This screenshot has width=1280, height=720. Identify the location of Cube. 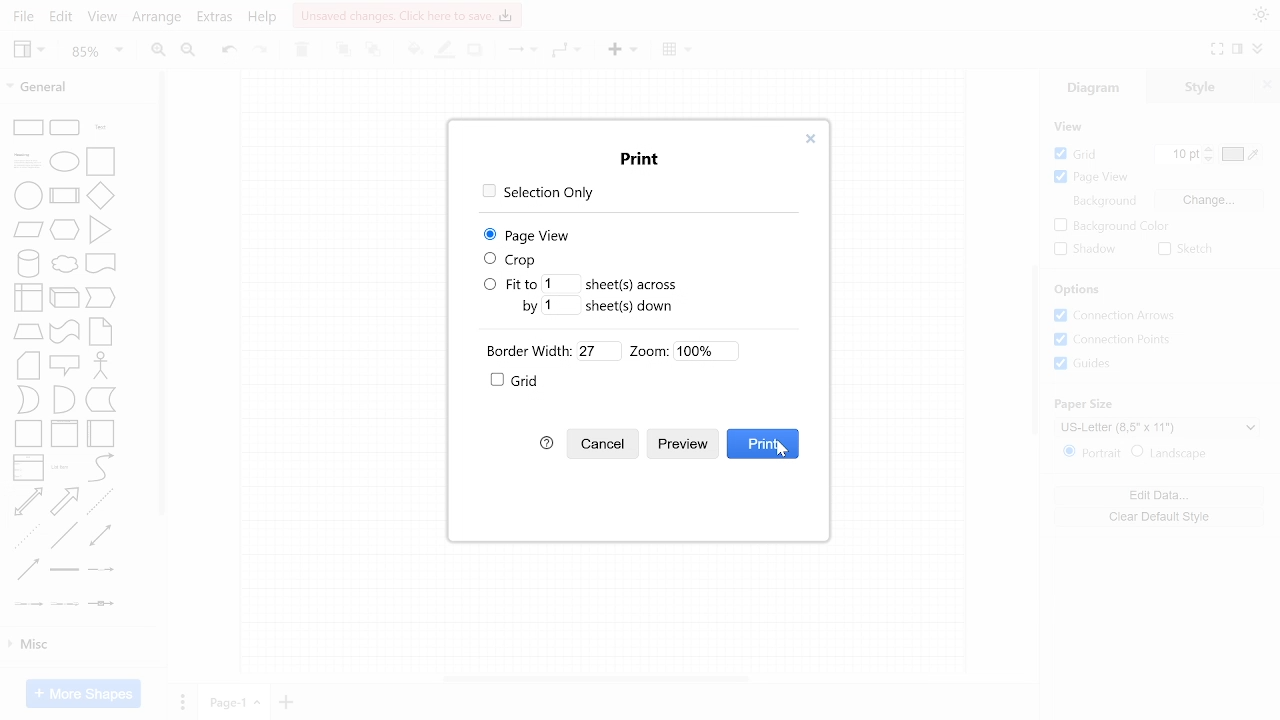
(64, 298).